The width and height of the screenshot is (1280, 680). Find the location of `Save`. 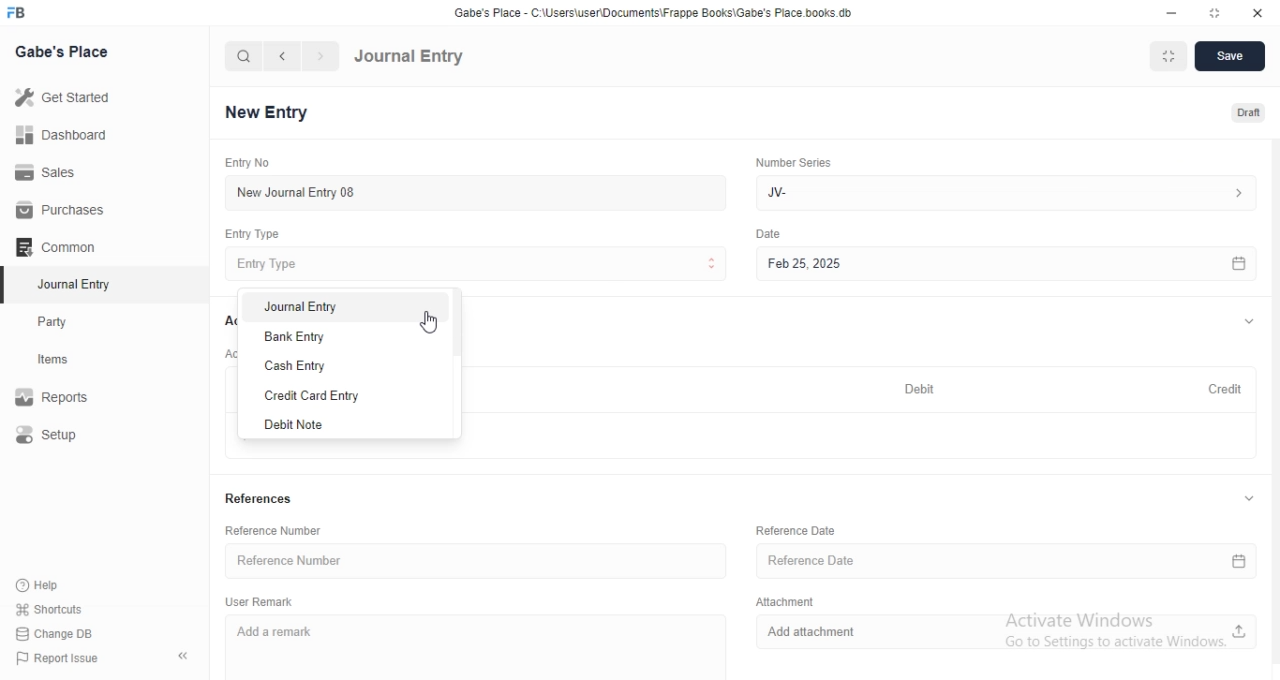

Save is located at coordinates (1231, 57).